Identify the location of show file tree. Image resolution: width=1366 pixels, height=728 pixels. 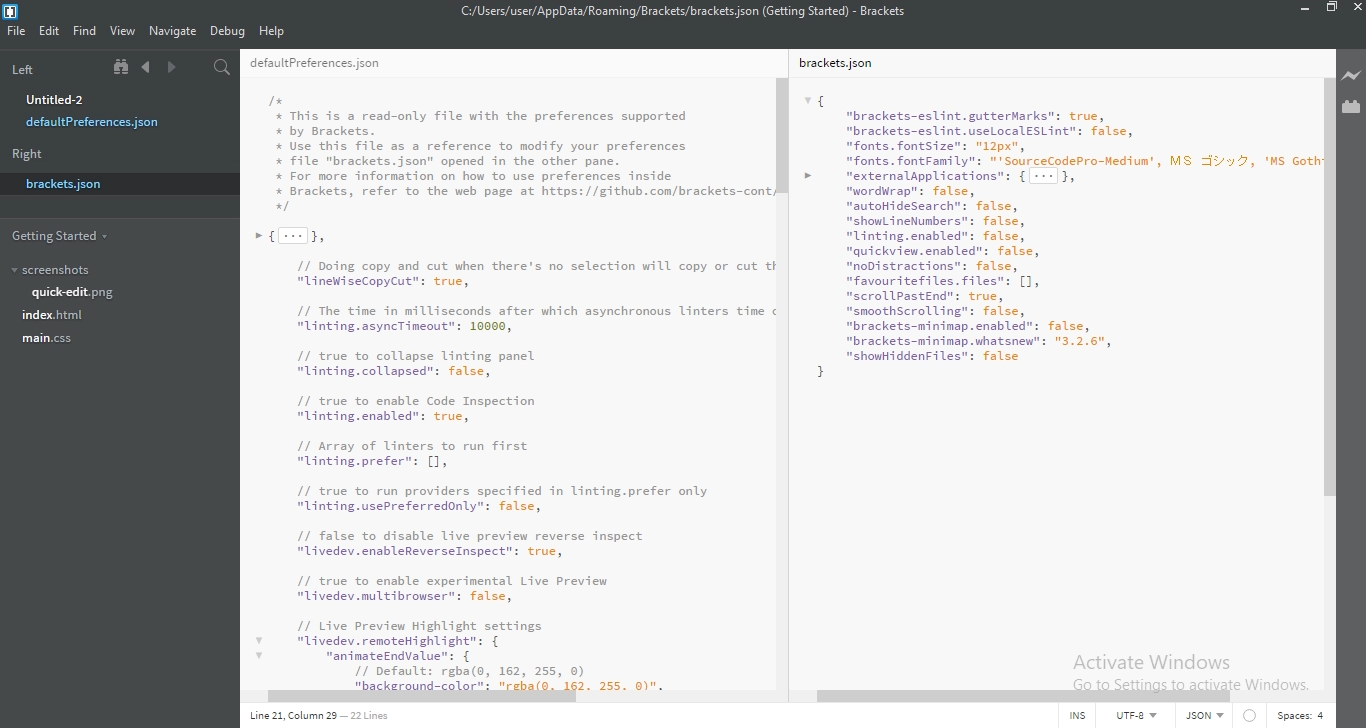
(121, 66).